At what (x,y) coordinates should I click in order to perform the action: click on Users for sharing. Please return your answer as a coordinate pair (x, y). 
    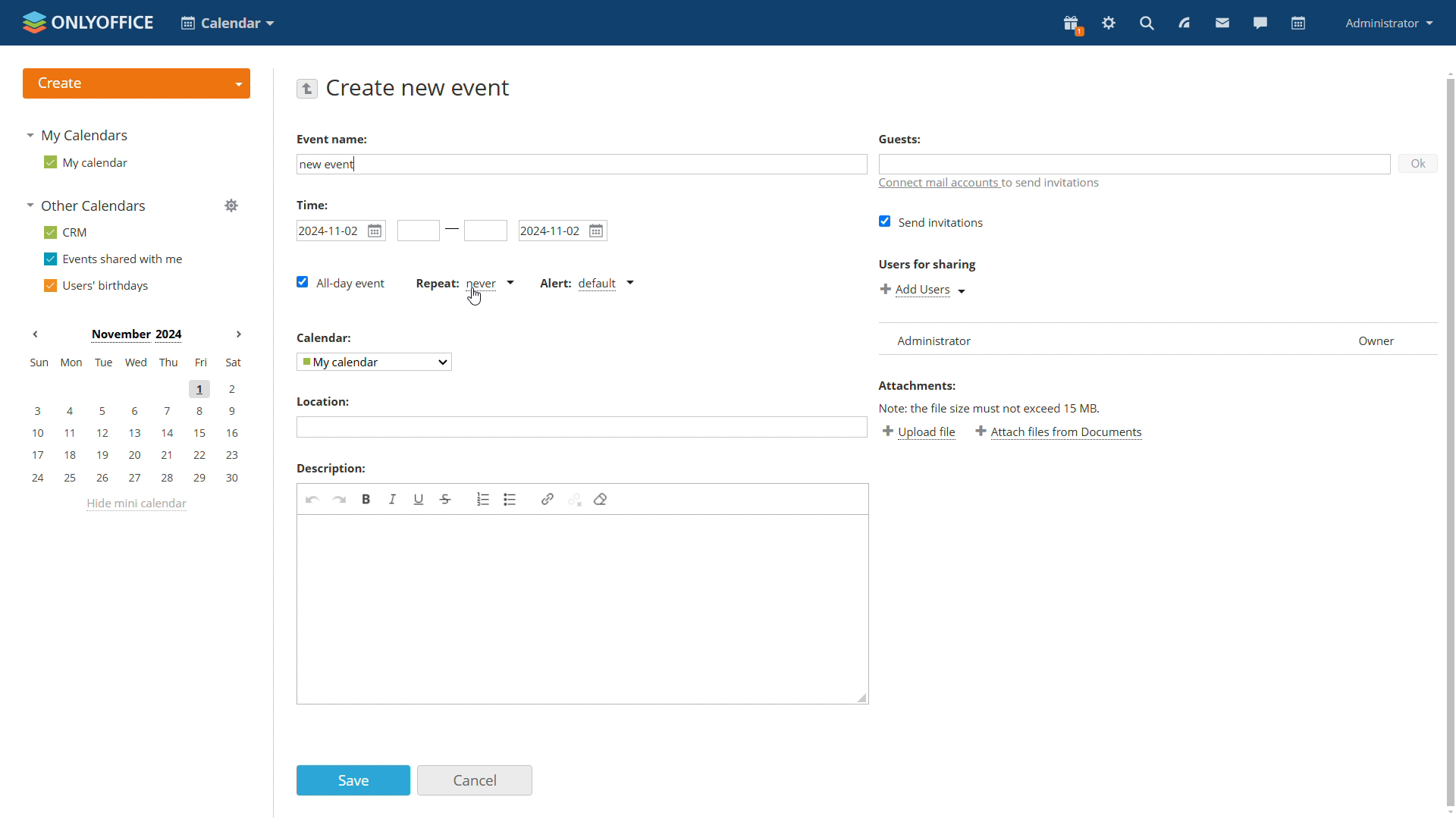
    Looking at the image, I should click on (925, 262).